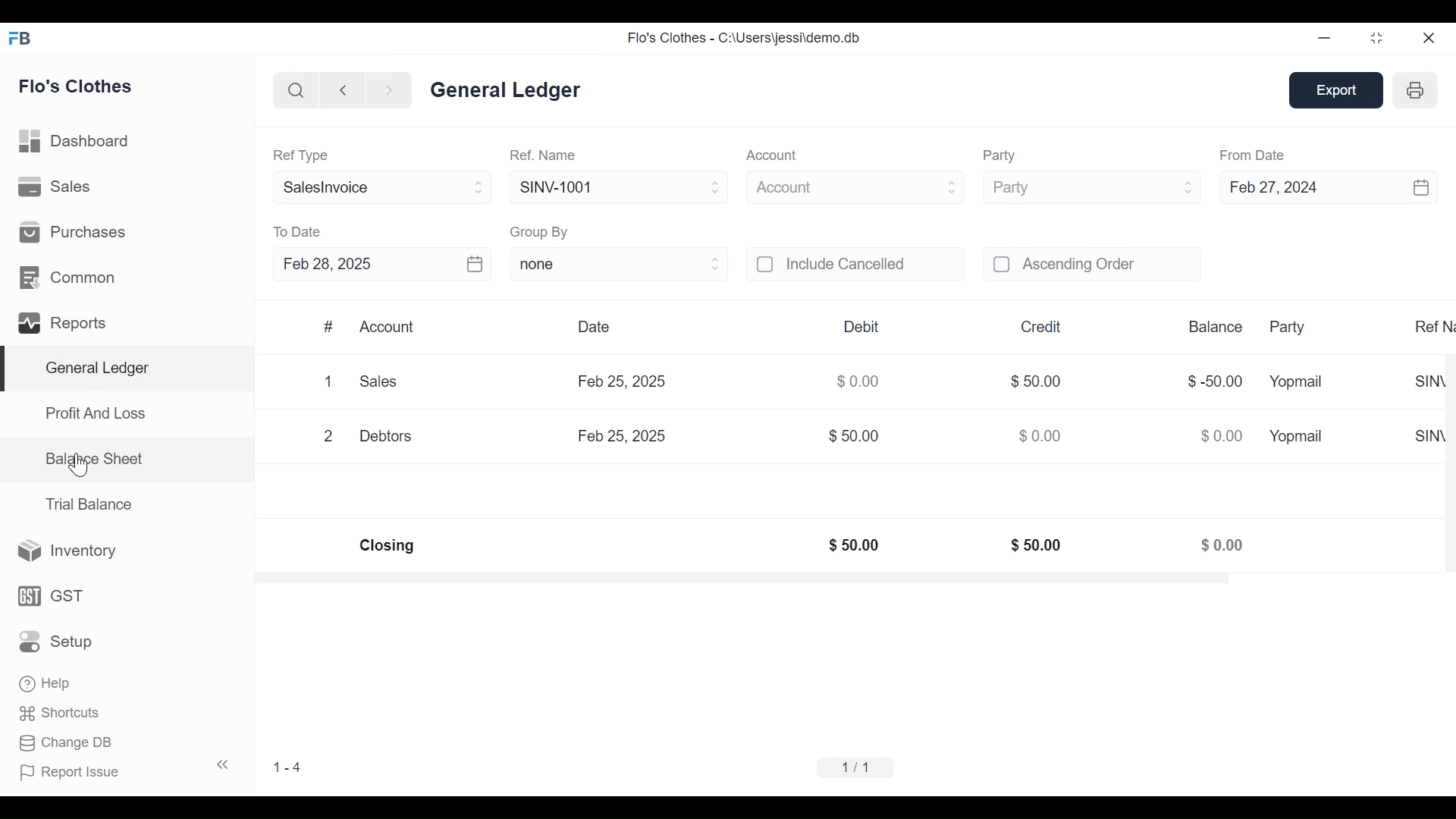 This screenshot has width=1456, height=819. Describe the element at coordinates (773, 155) in the screenshot. I see `Account` at that location.